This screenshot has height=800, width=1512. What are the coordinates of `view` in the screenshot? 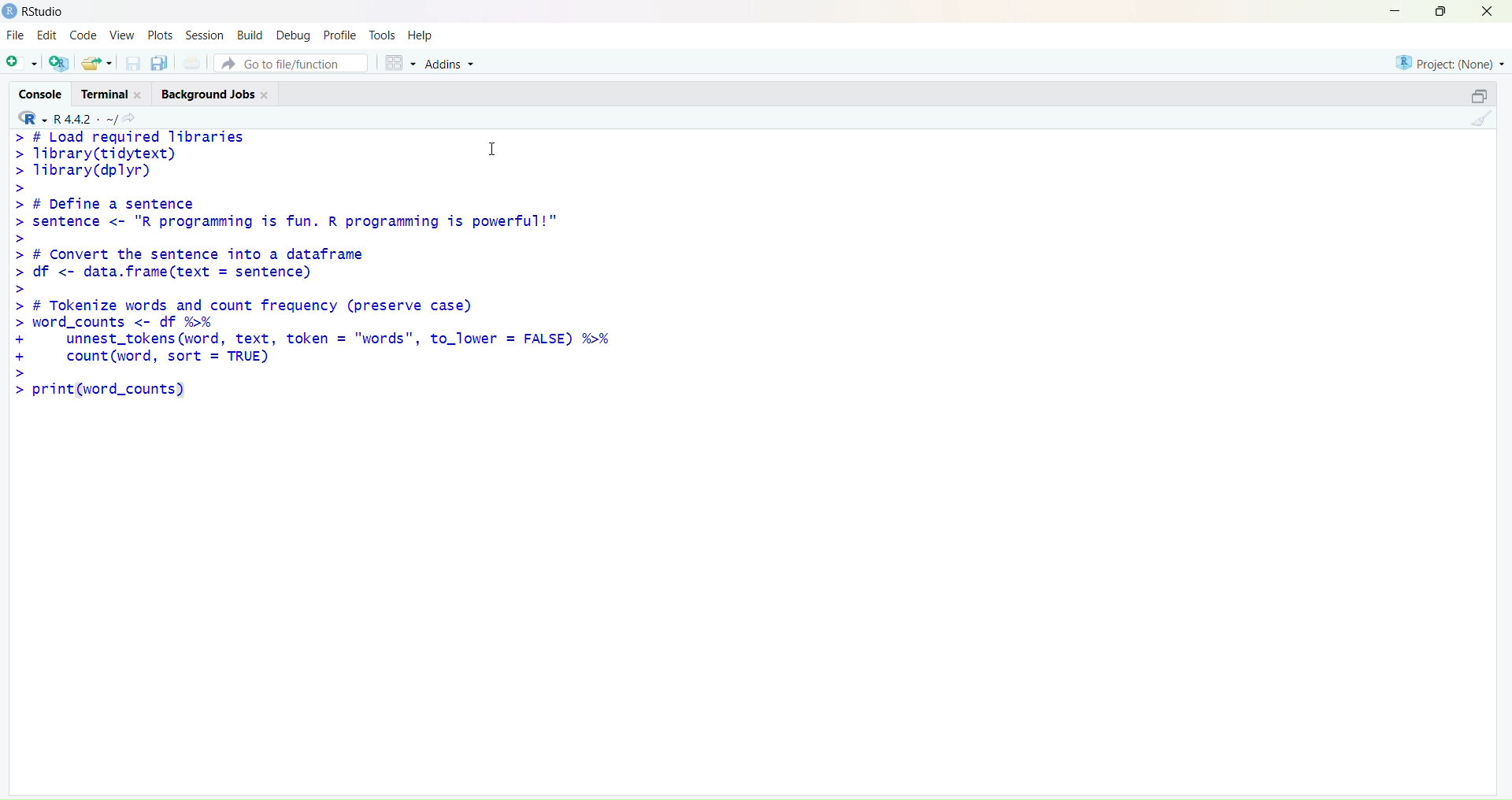 It's located at (124, 35).